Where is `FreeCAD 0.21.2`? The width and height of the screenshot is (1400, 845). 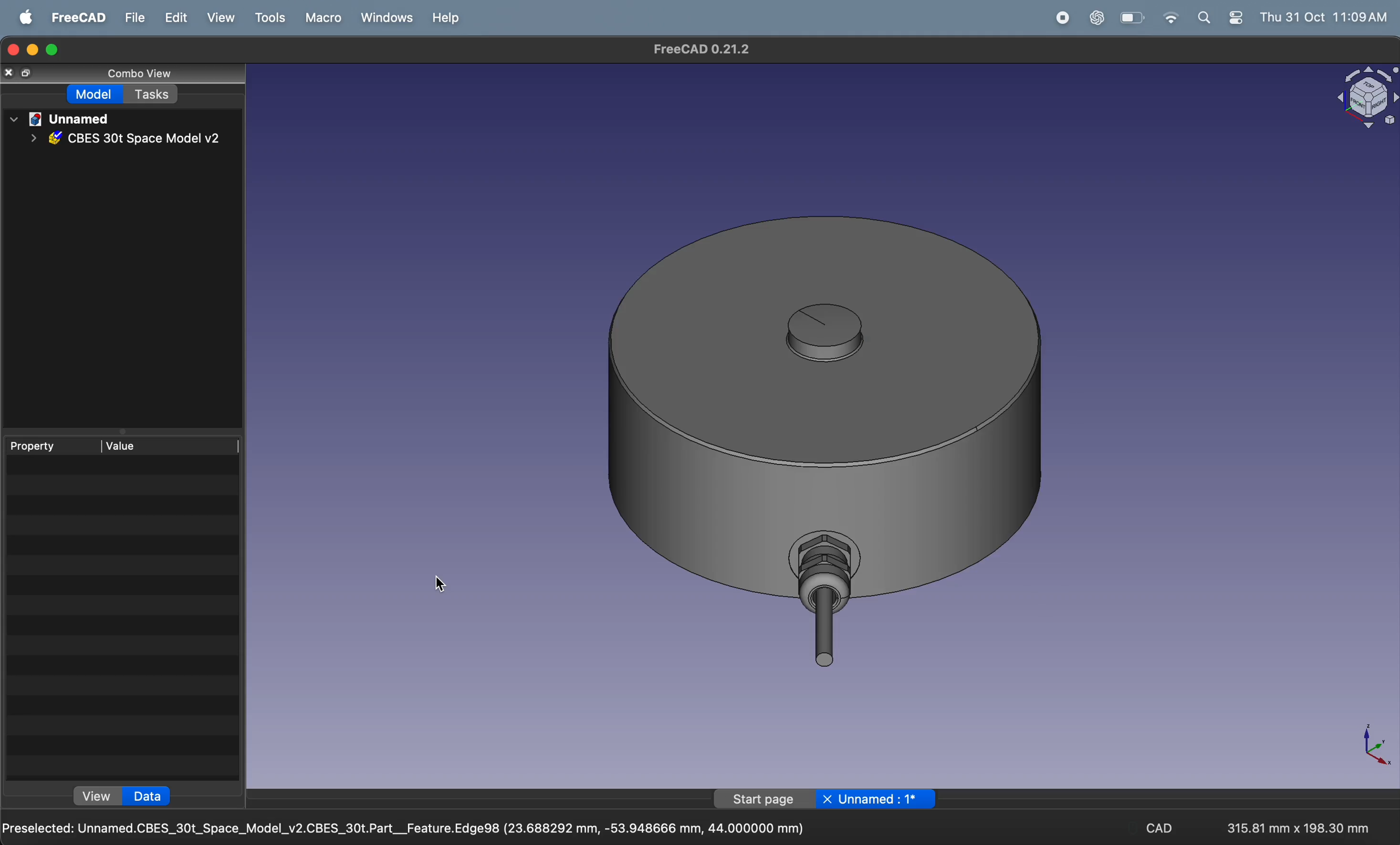 FreeCAD 0.21.2 is located at coordinates (704, 48).